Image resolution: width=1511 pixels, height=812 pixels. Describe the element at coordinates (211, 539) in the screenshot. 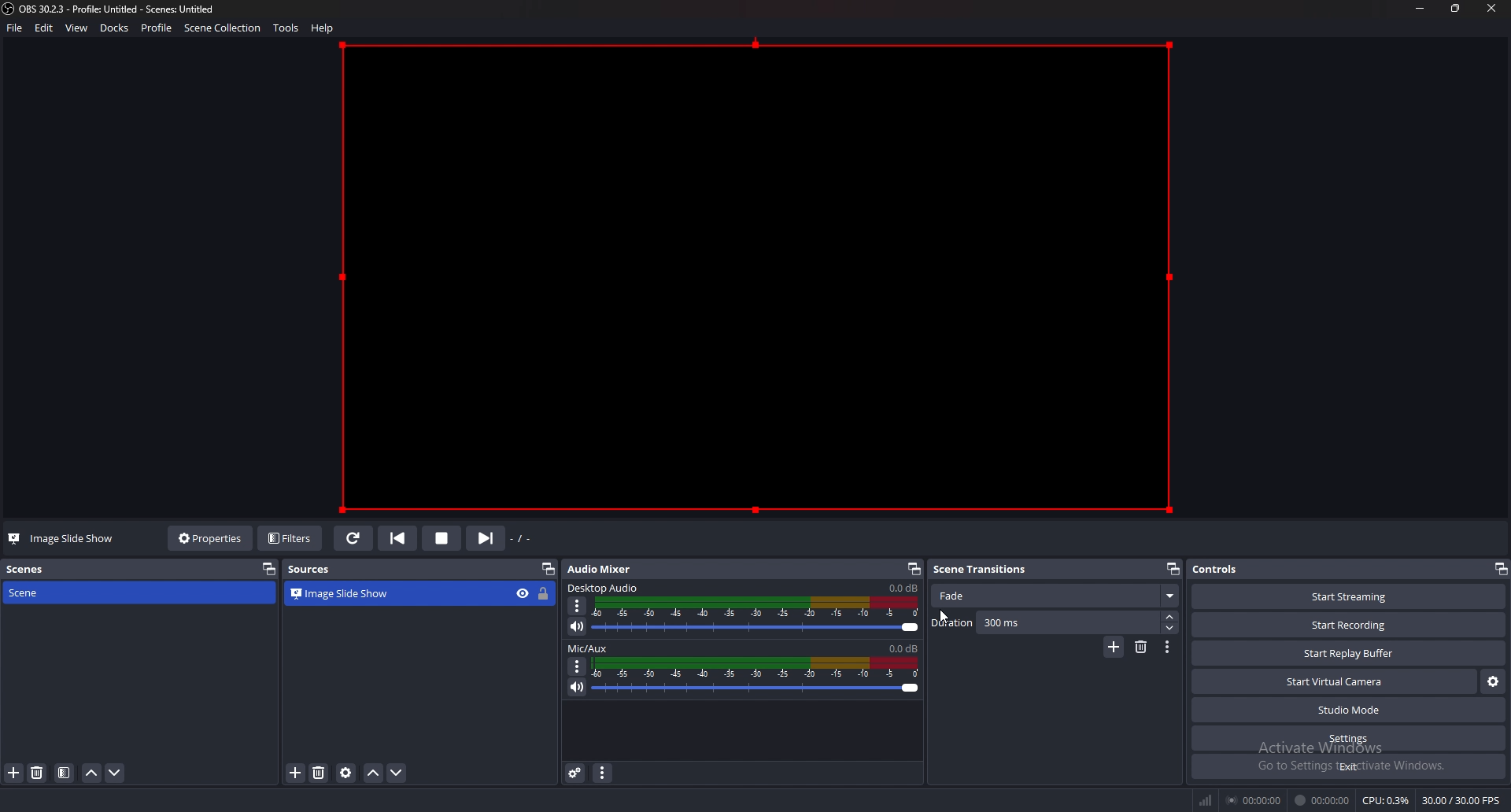

I see `properties` at that location.